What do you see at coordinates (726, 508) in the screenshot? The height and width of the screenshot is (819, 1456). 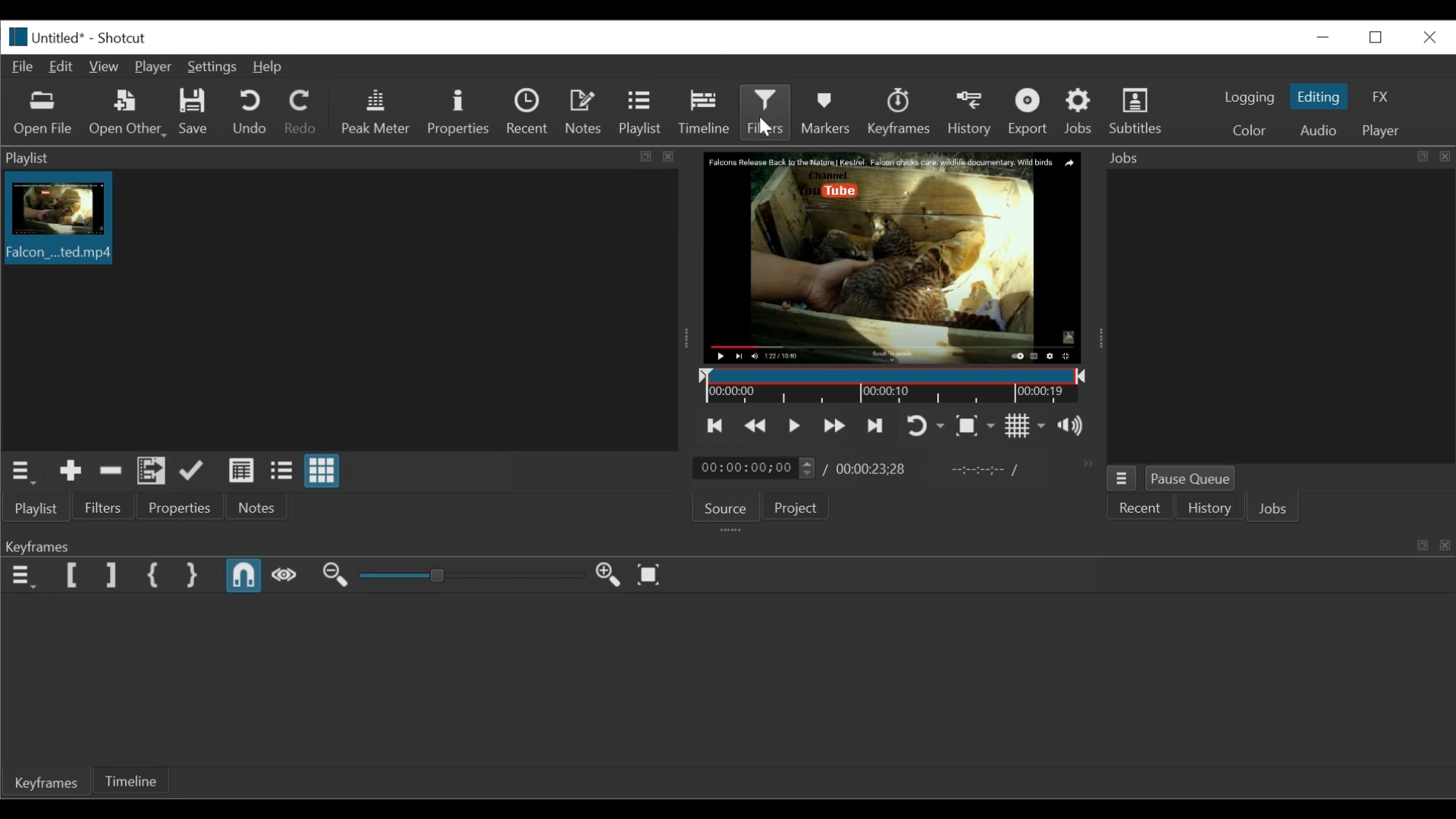 I see `Source` at bounding box center [726, 508].